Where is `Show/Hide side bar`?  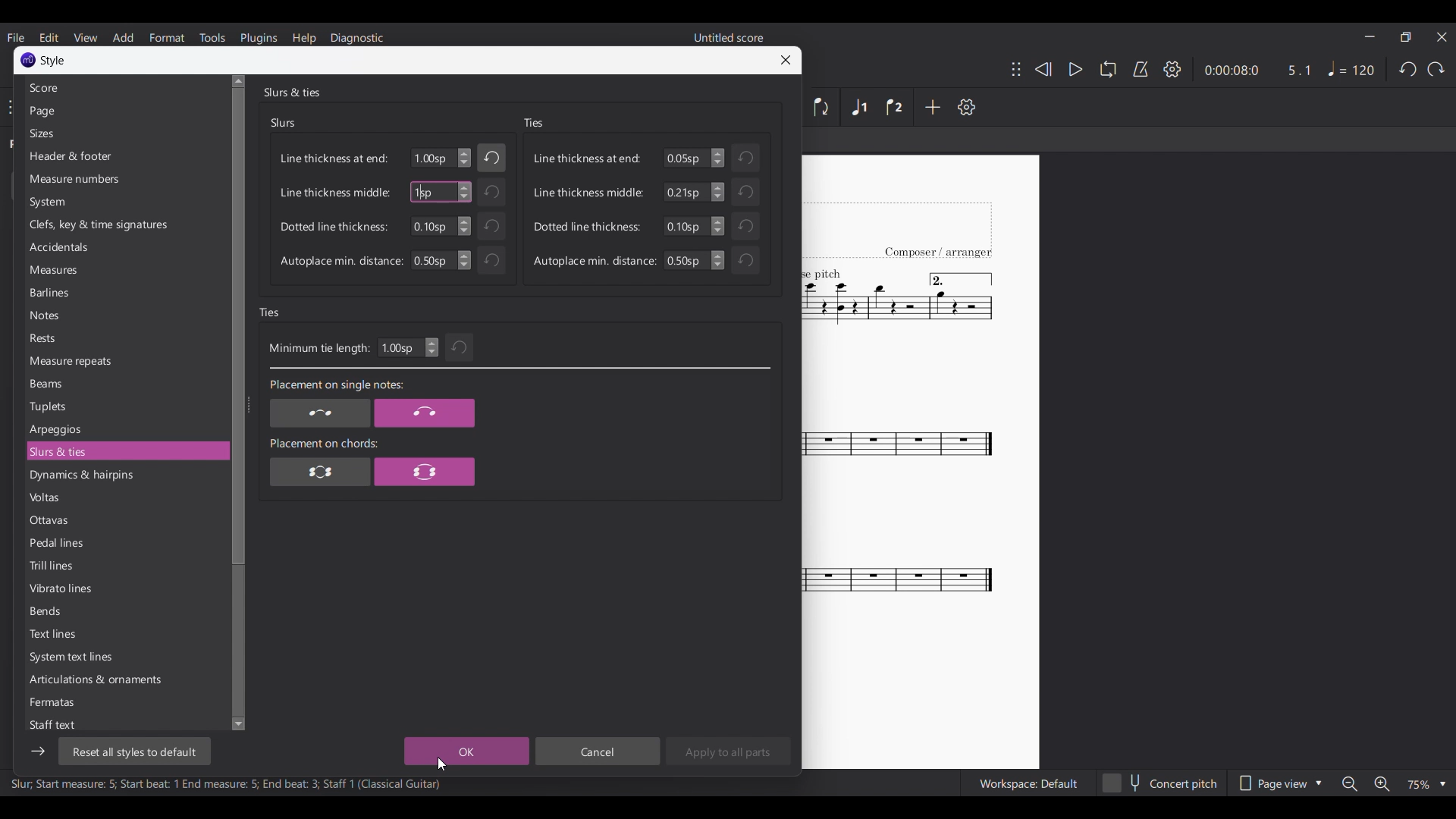 Show/Hide side bar is located at coordinates (38, 752).